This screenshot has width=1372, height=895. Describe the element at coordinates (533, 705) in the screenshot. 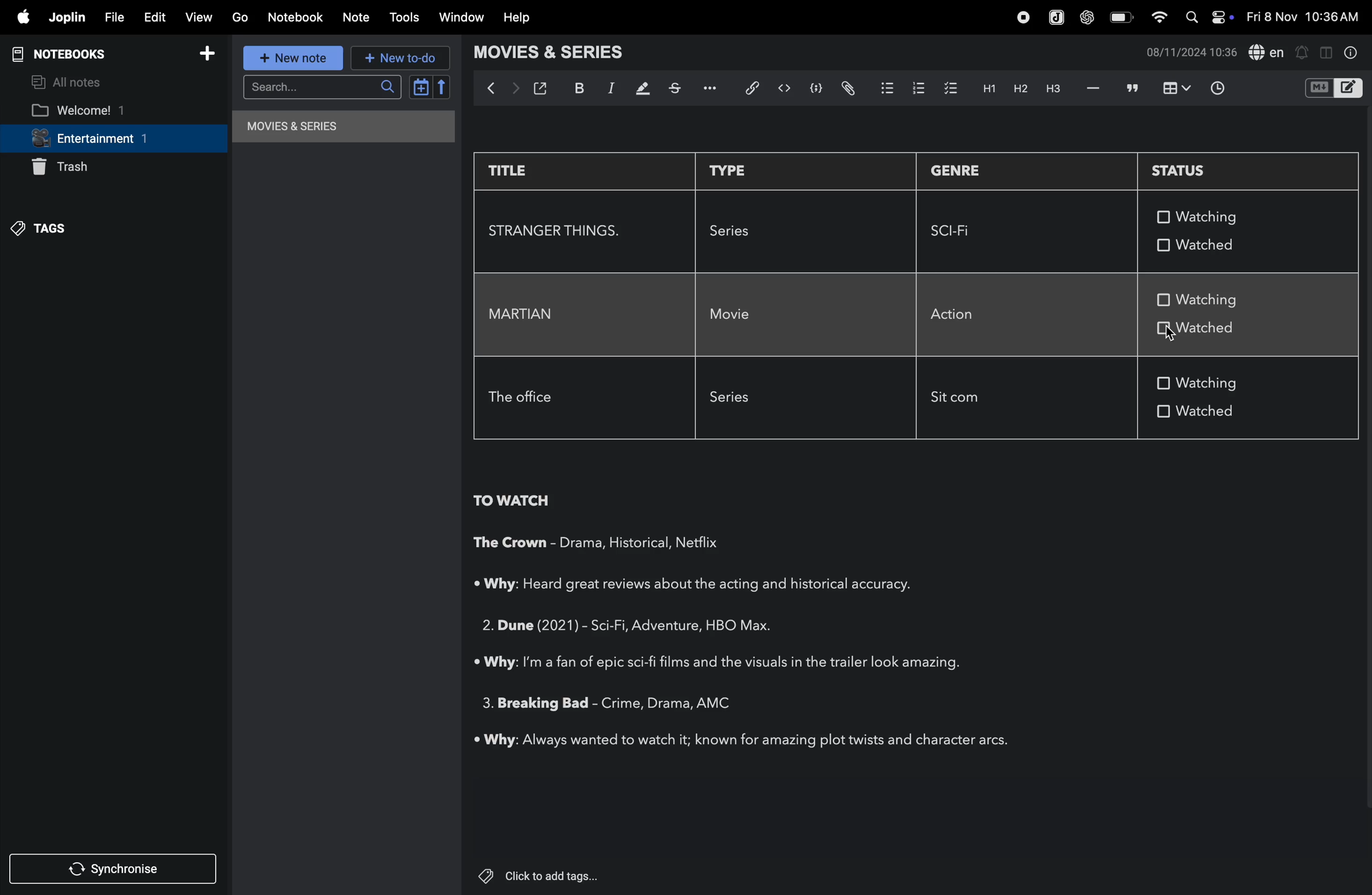

I see `title` at that location.